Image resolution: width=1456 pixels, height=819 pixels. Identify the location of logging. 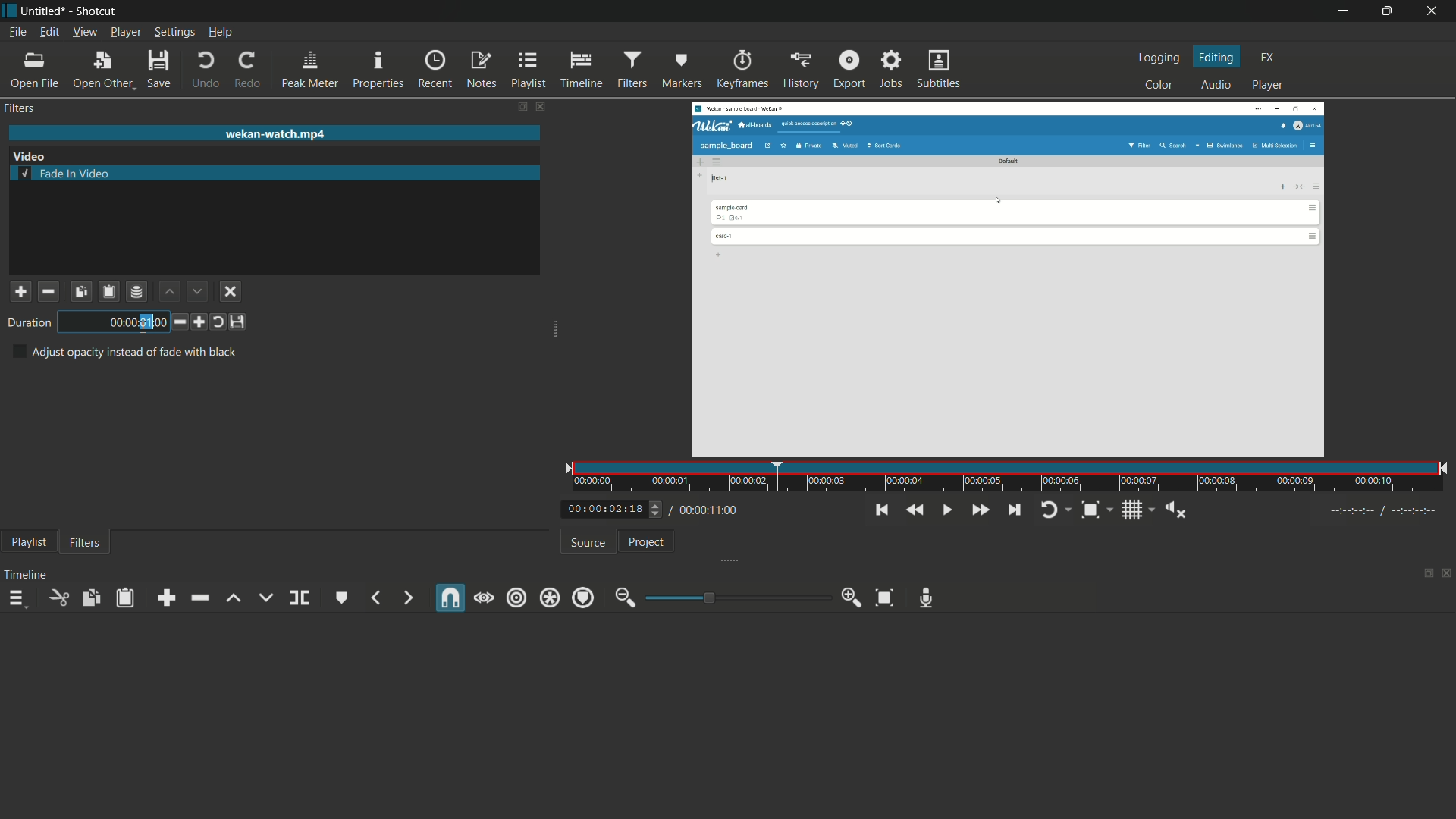
(1162, 58).